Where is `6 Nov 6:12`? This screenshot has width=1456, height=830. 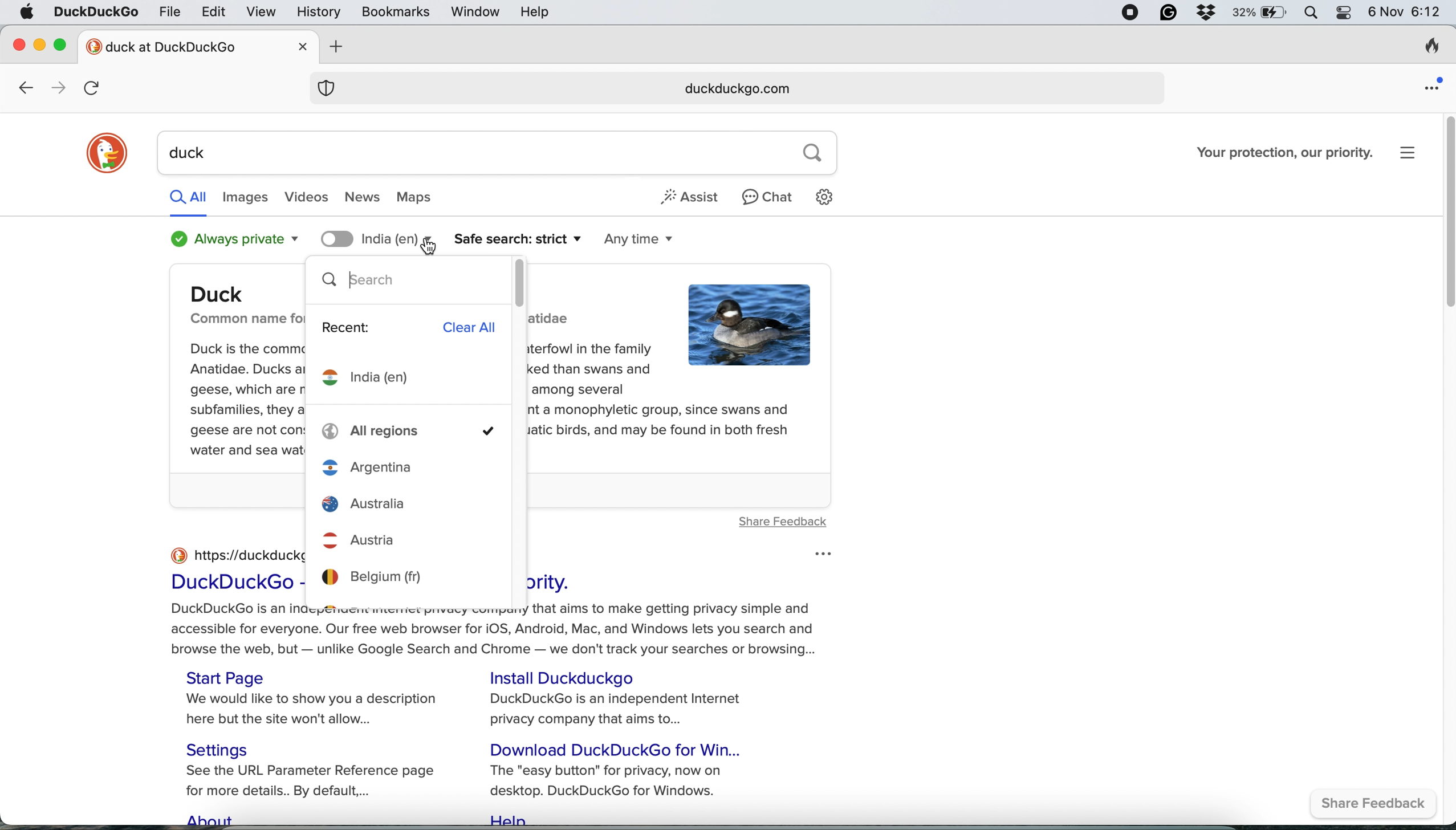 6 Nov 6:12 is located at coordinates (1404, 14).